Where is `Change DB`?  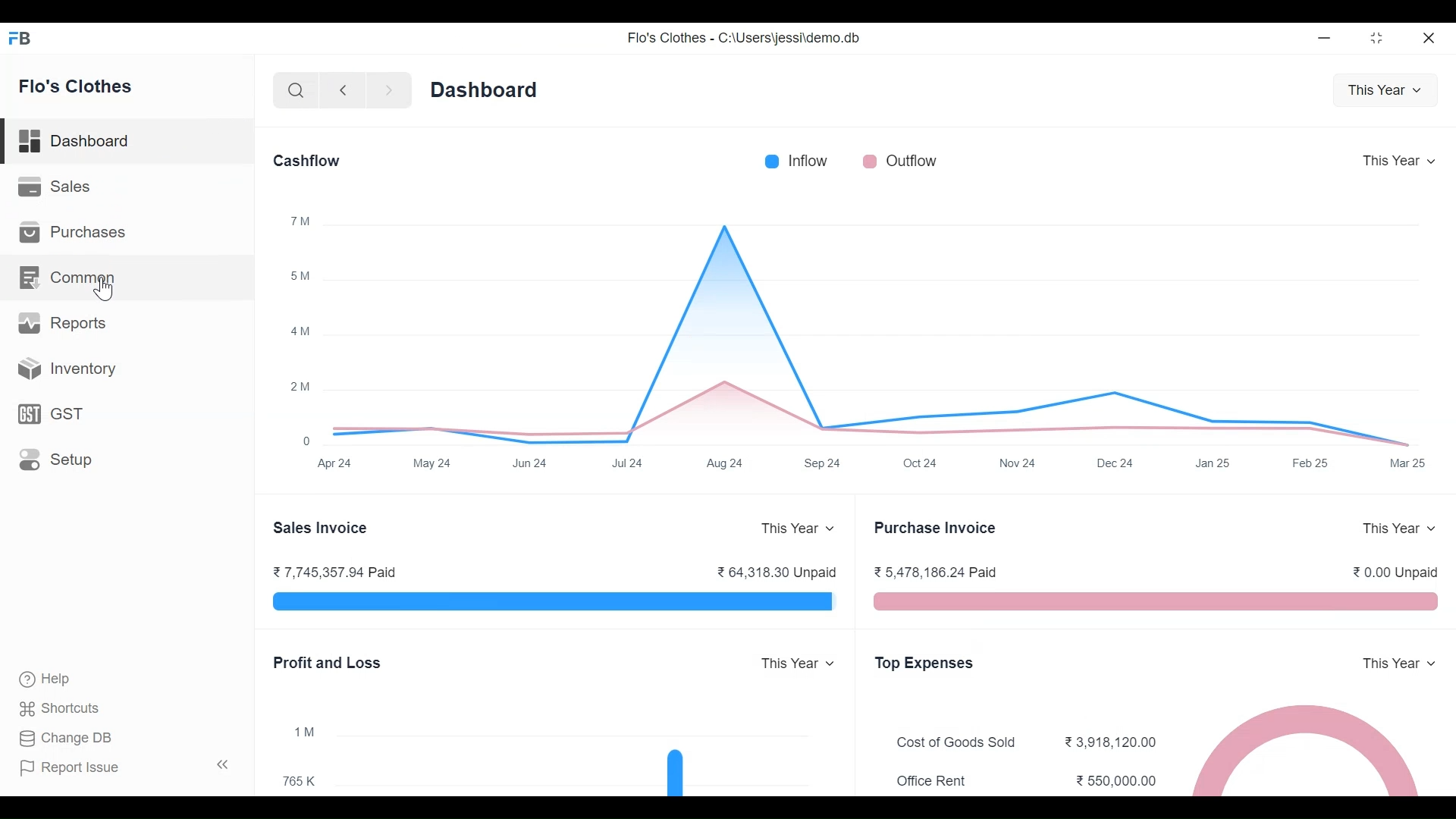
Change DB is located at coordinates (64, 736).